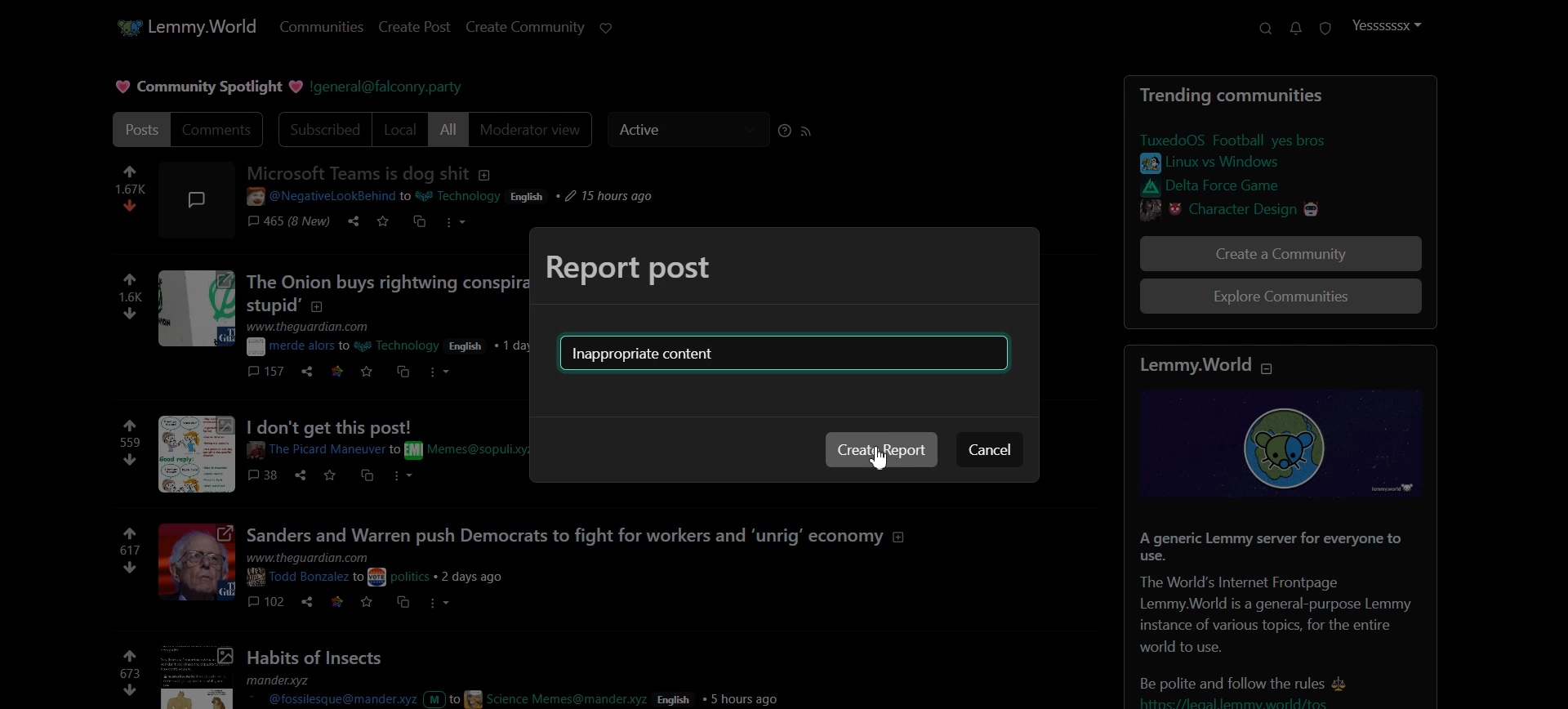 The image size is (1568, 709). What do you see at coordinates (1296, 29) in the screenshot?
I see `Unread message` at bounding box center [1296, 29].